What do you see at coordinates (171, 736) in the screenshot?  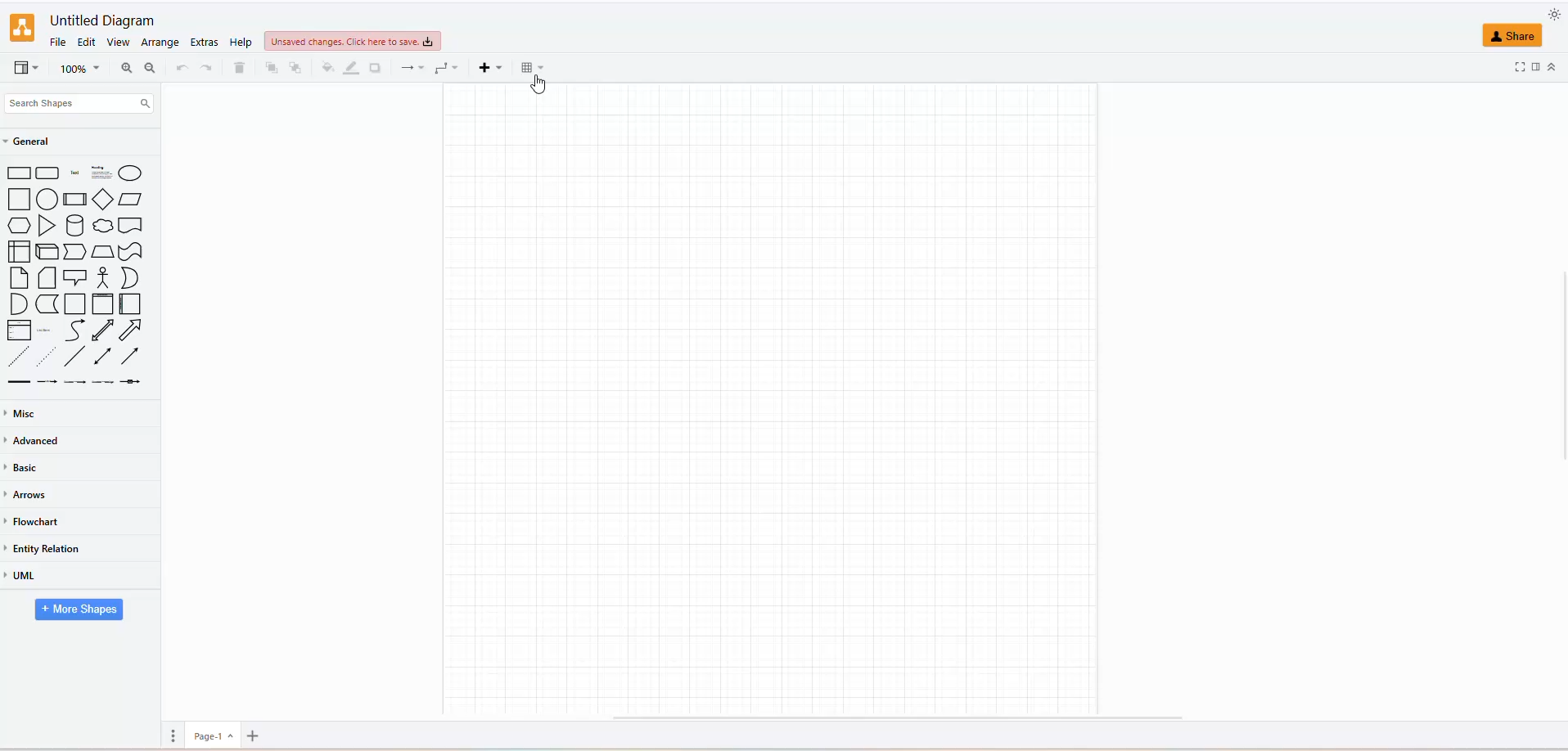 I see `pages` at bounding box center [171, 736].